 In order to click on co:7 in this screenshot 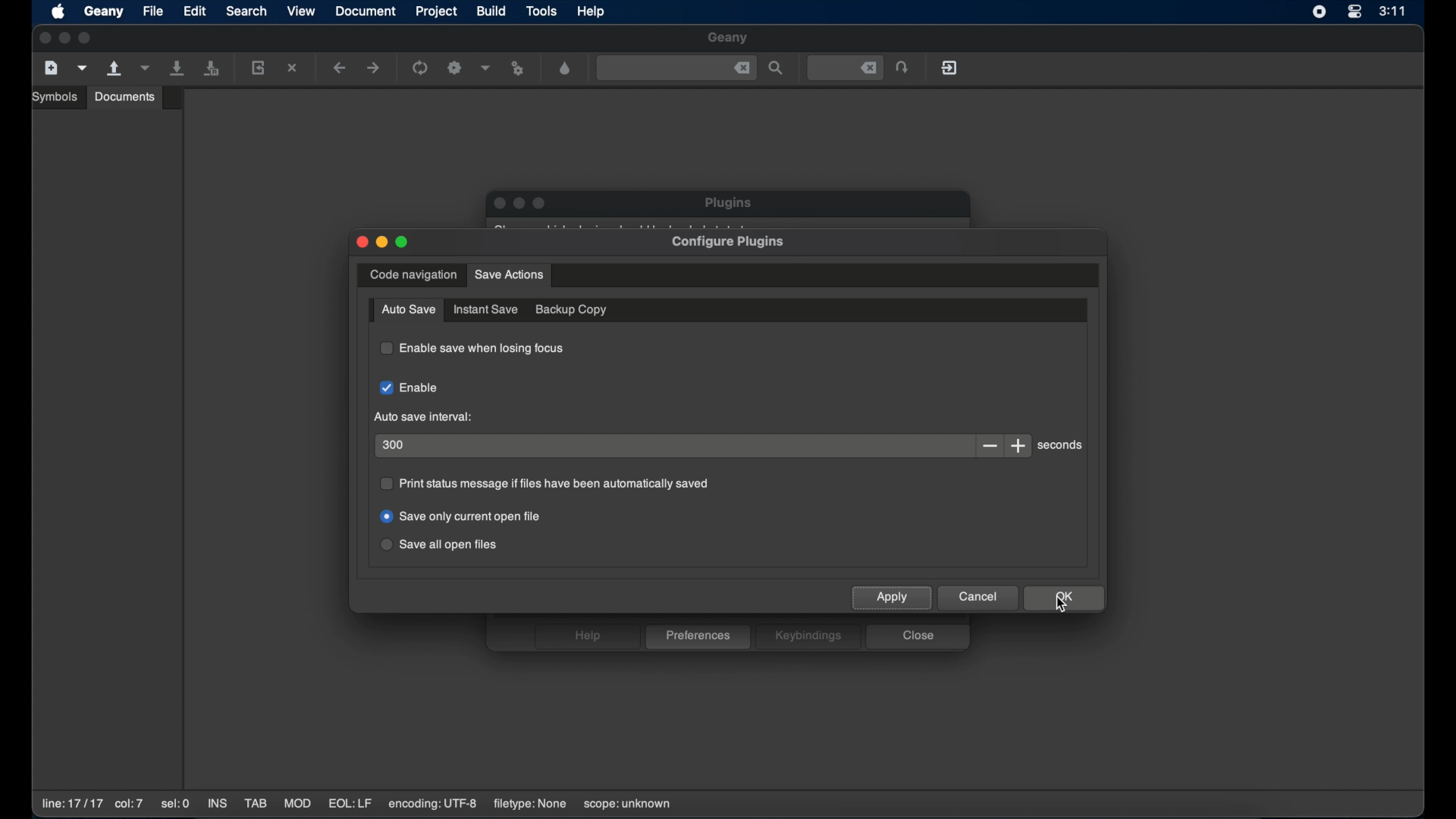, I will do `click(128, 805)`.